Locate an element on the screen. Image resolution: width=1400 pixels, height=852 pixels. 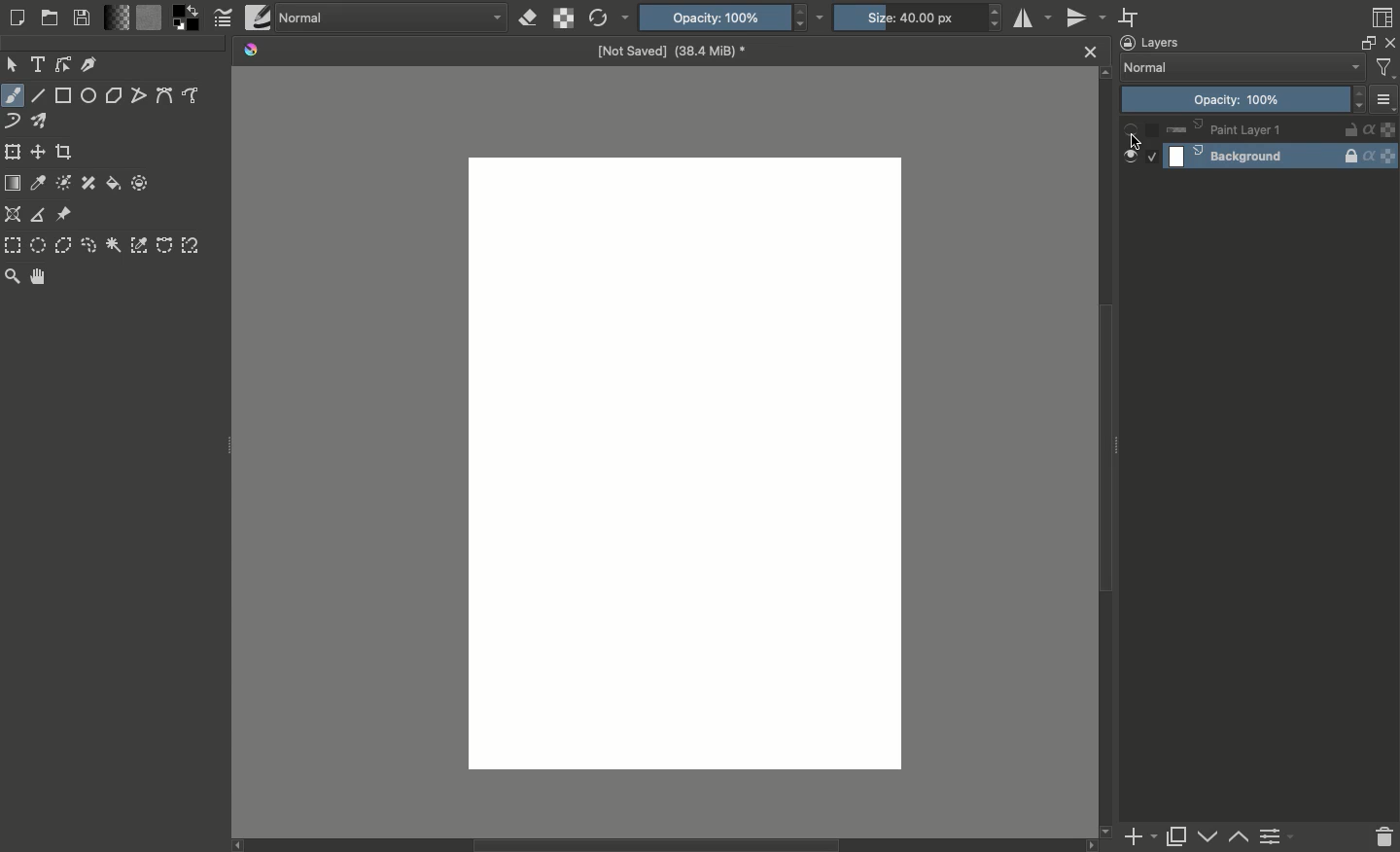
Raise layer is located at coordinates (1208, 838).